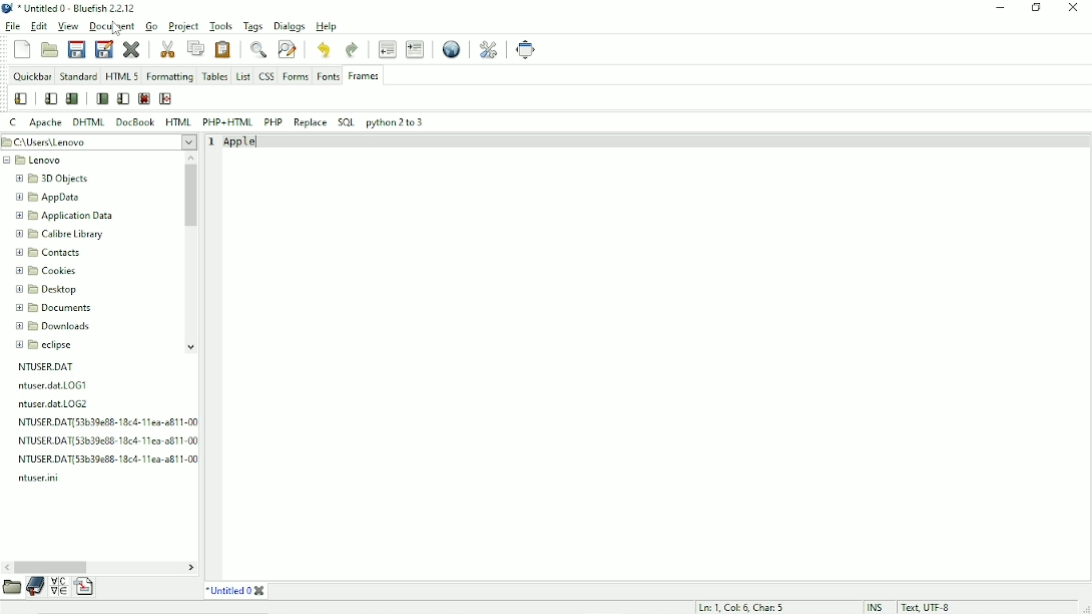  Describe the element at coordinates (926, 607) in the screenshot. I see `Text, UTF - 8` at that location.